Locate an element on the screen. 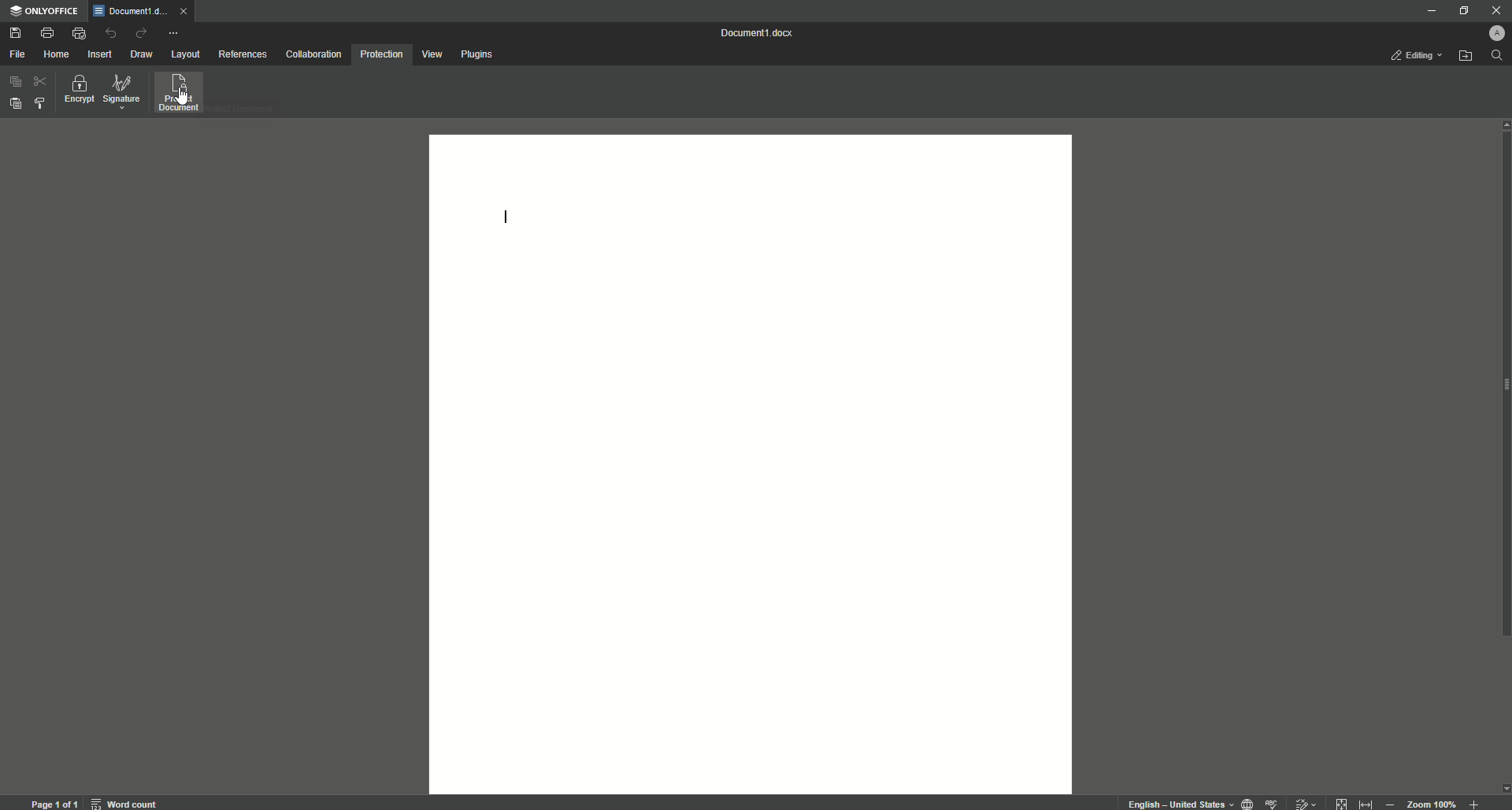 This screenshot has width=1512, height=810. Close is located at coordinates (1495, 9).